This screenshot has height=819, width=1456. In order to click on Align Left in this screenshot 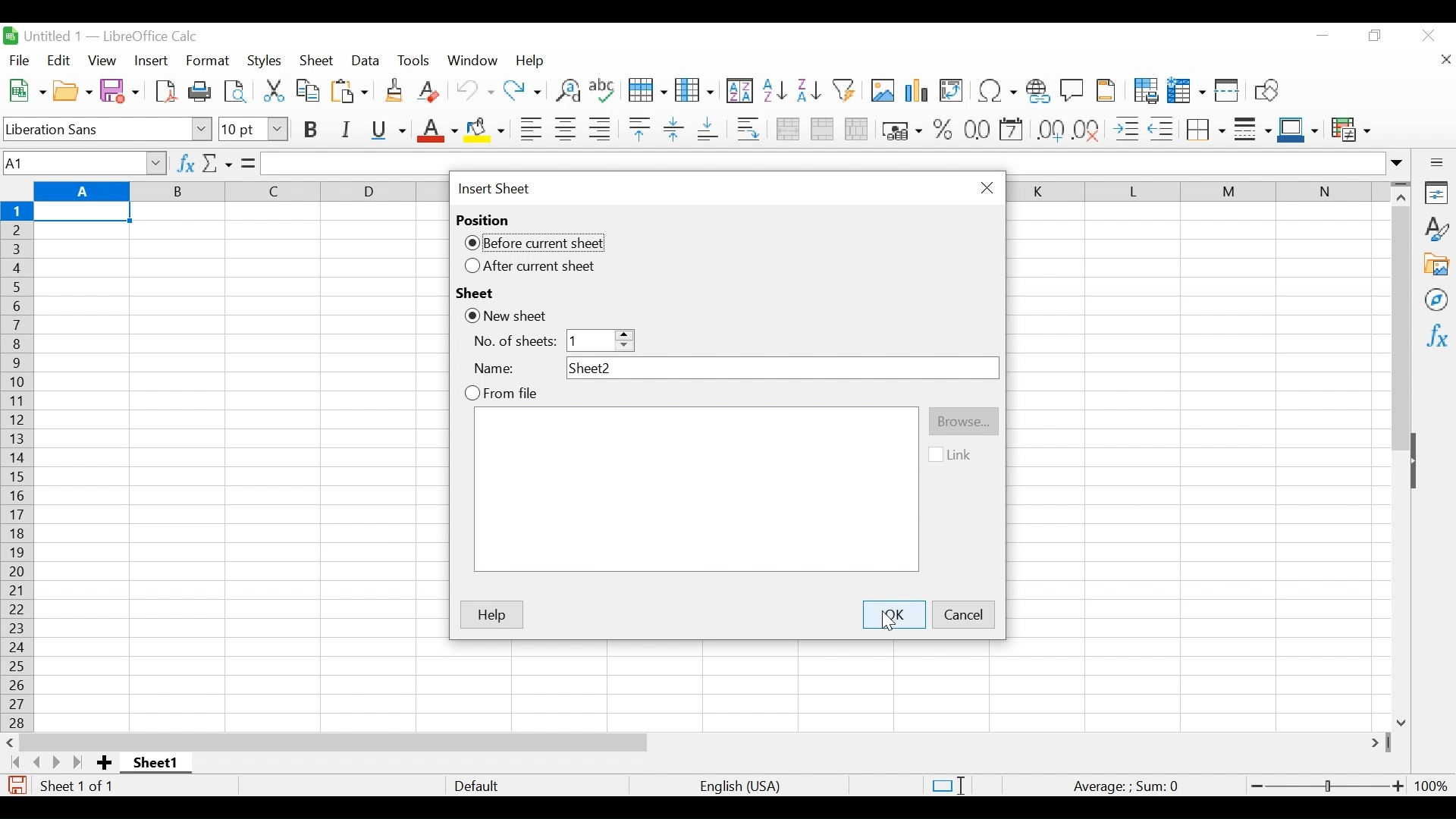, I will do `click(531, 129)`.